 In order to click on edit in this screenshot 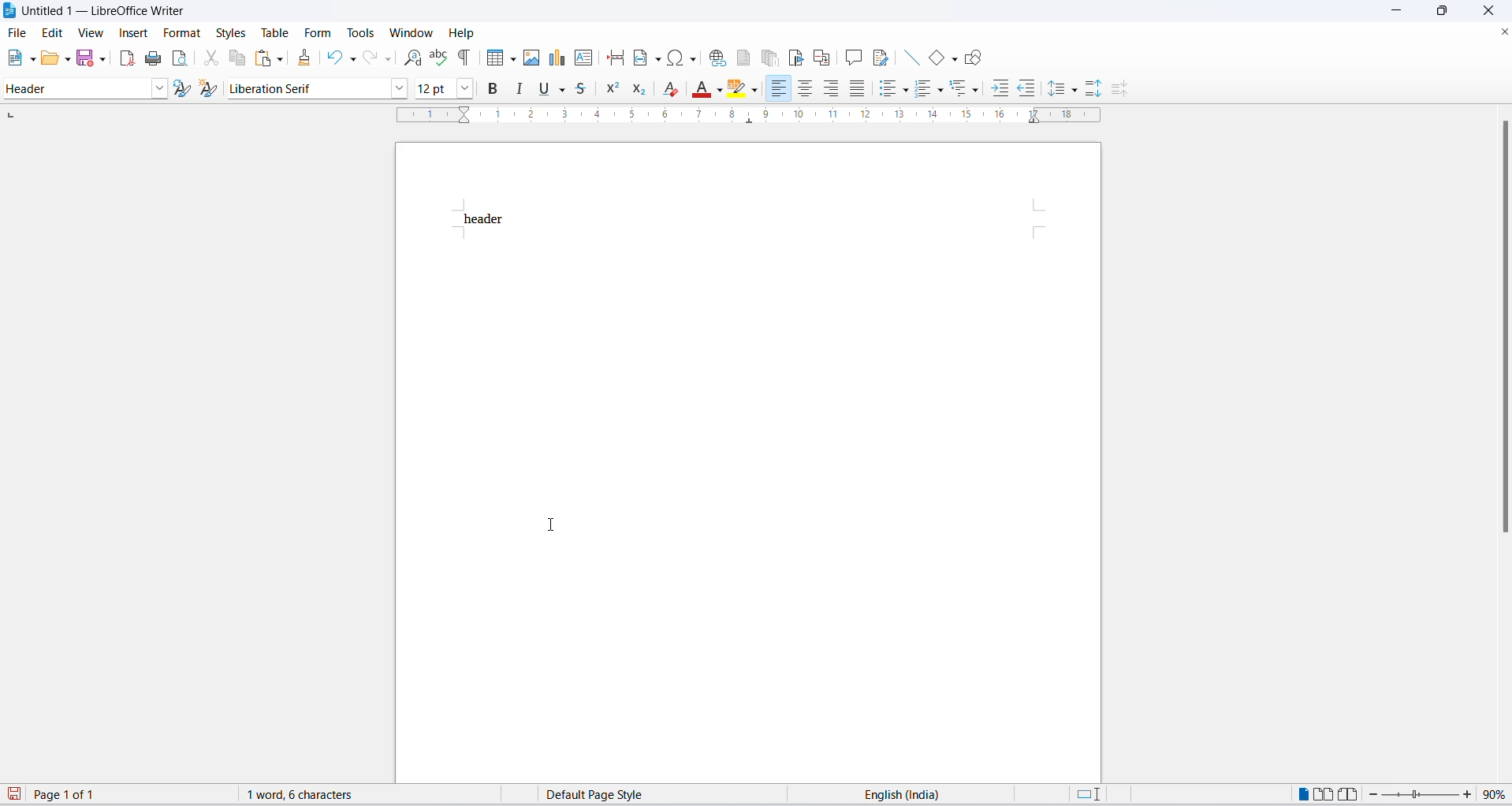, I will do `click(54, 32)`.